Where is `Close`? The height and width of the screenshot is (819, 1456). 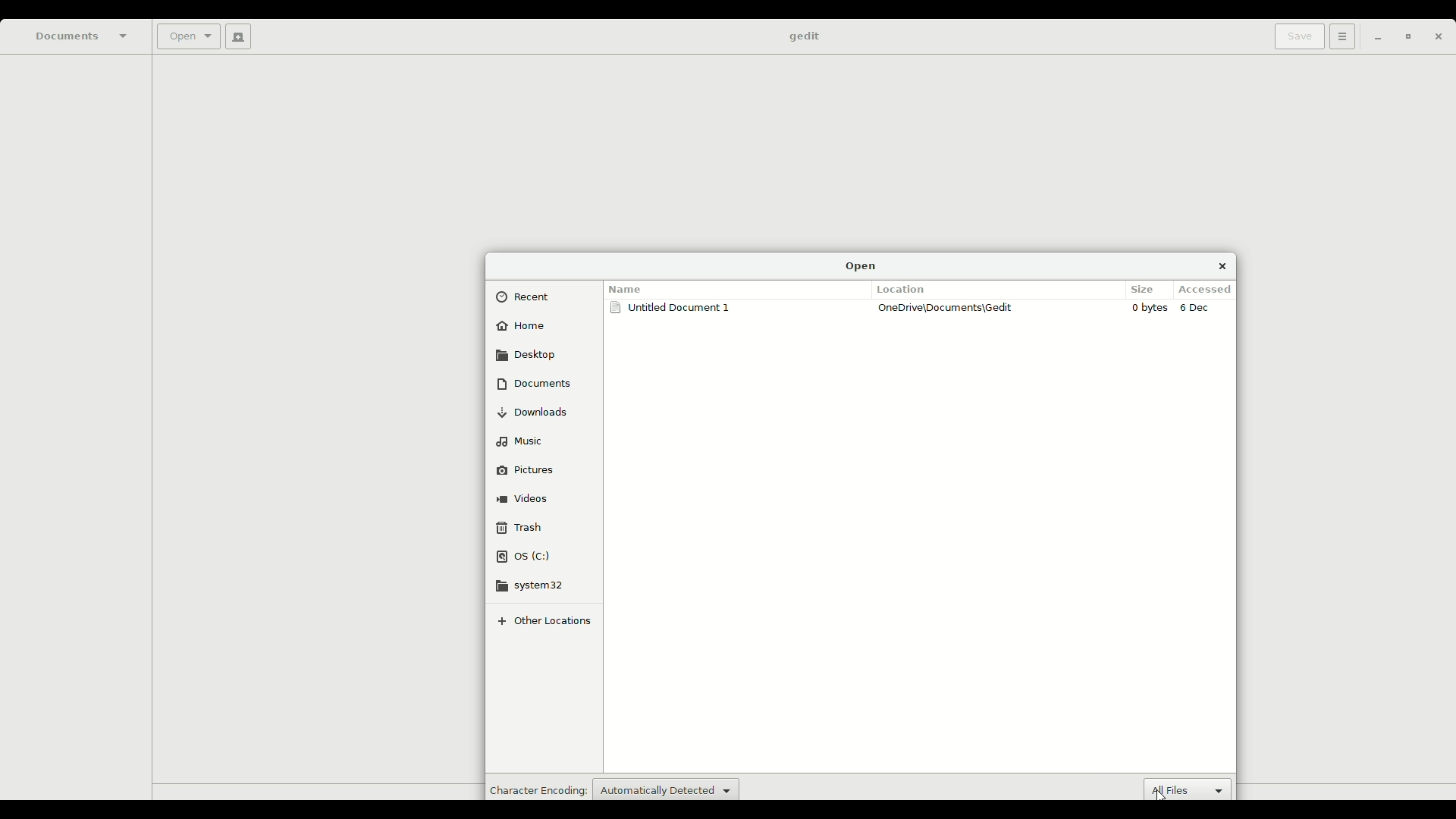
Close is located at coordinates (1222, 265).